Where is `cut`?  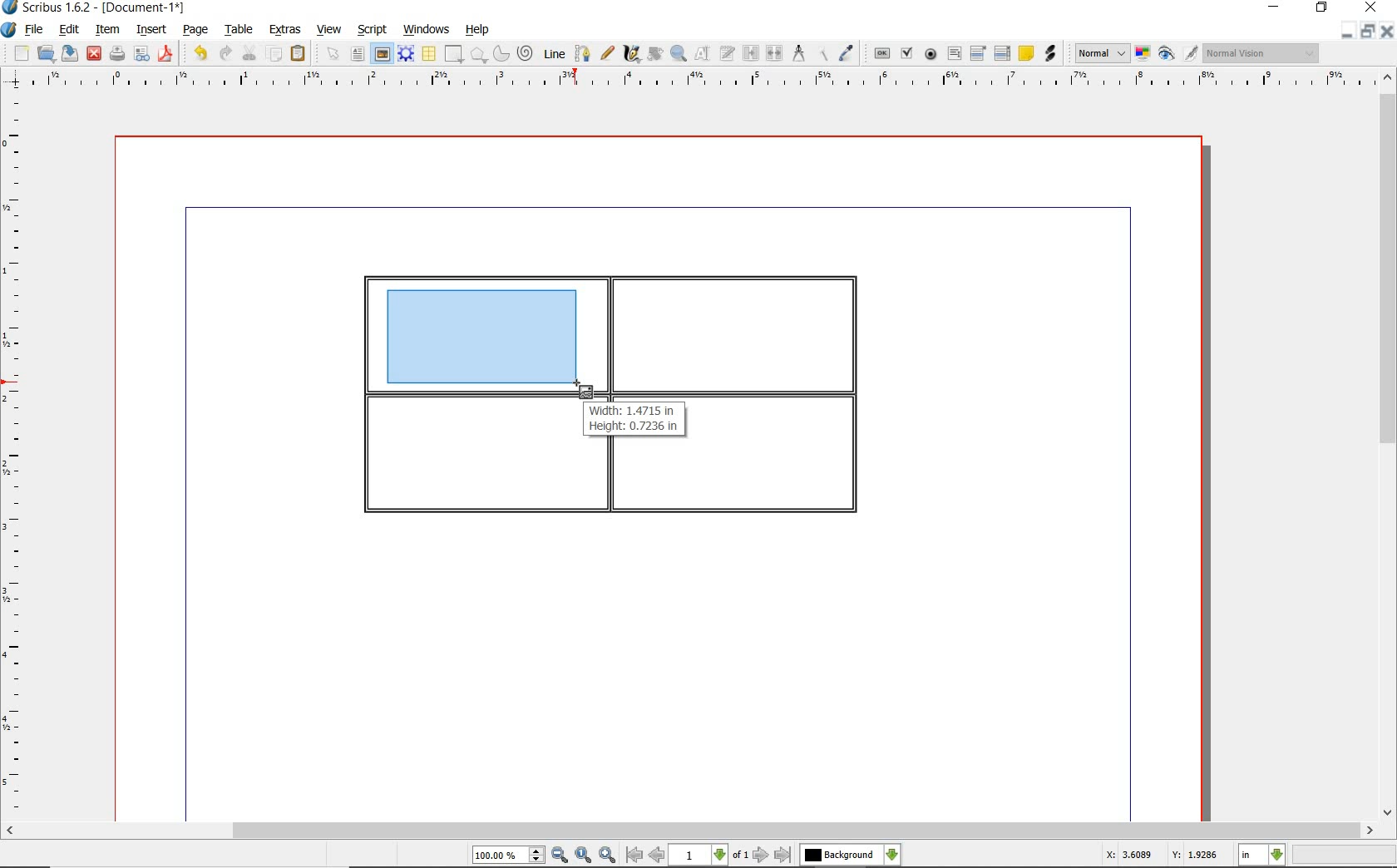
cut is located at coordinates (251, 52).